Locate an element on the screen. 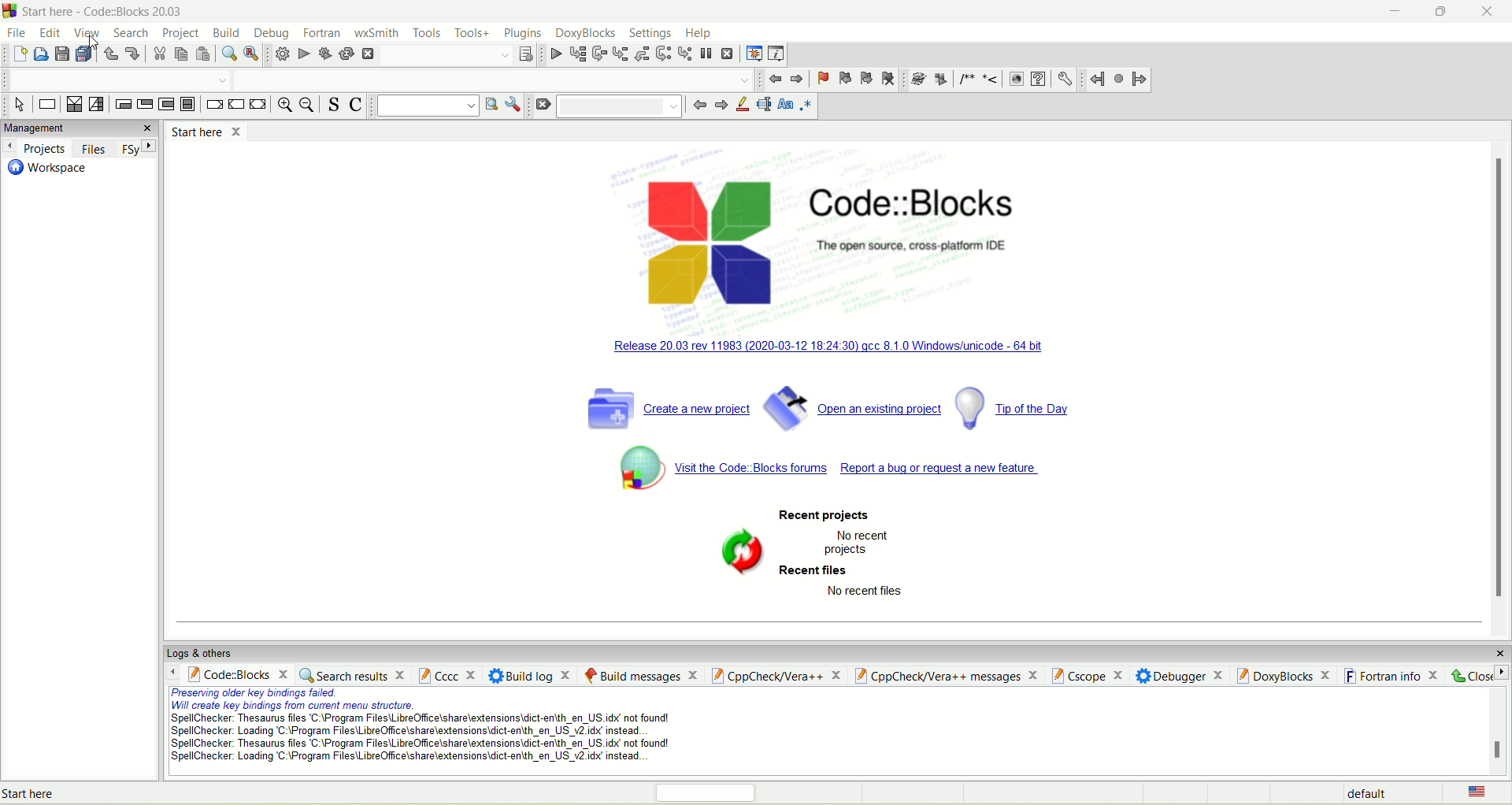 Image resolution: width=1512 pixels, height=805 pixels. jump back is located at coordinates (1095, 80).